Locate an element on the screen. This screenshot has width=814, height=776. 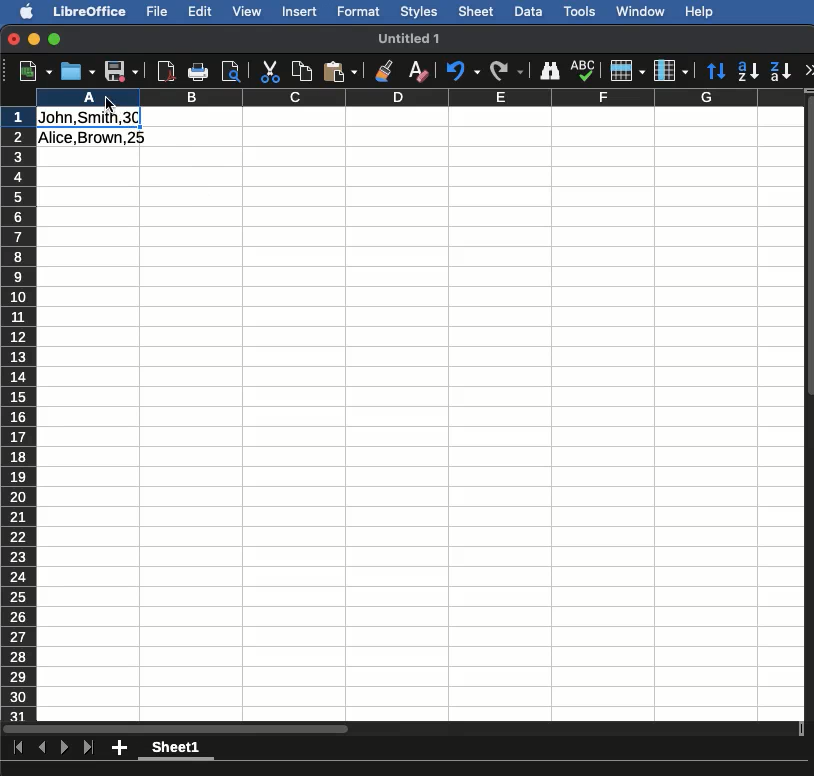
Name is located at coordinates (413, 40).